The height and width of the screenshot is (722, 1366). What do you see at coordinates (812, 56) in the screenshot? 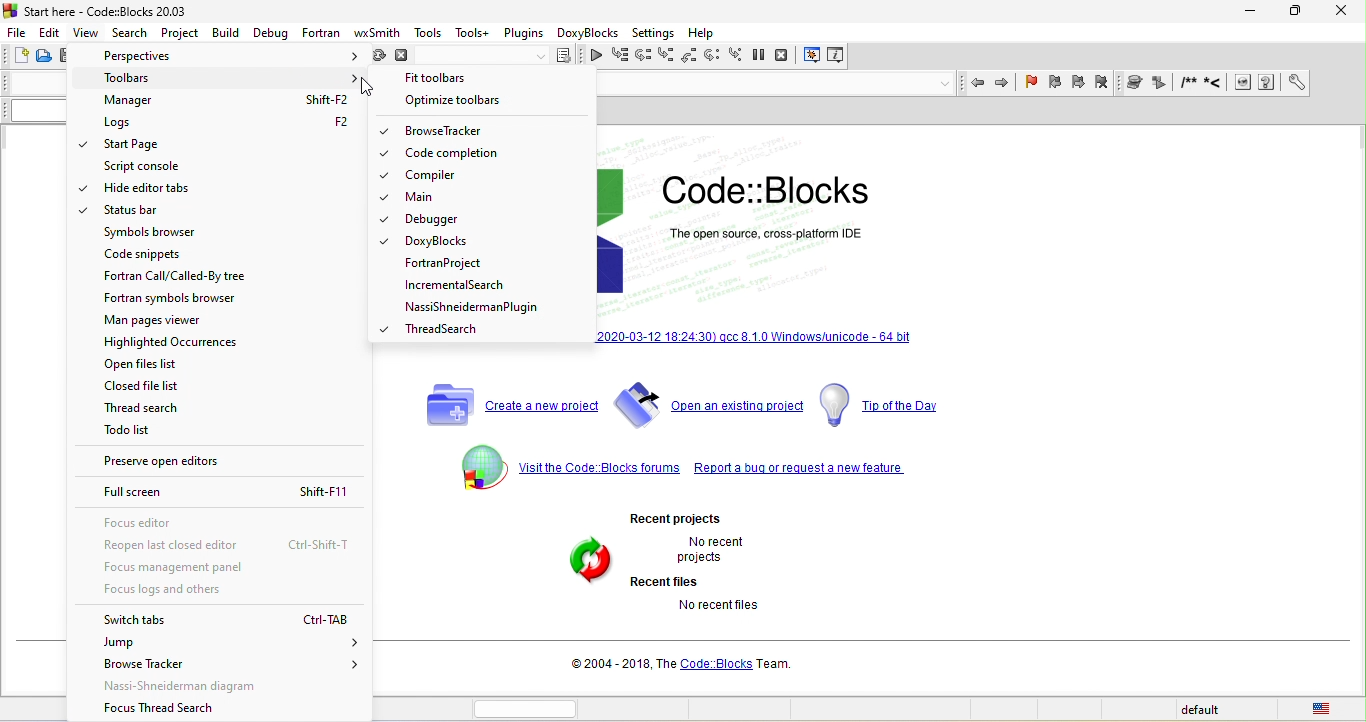
I see `debugging window` at bounding box center [812, 56].